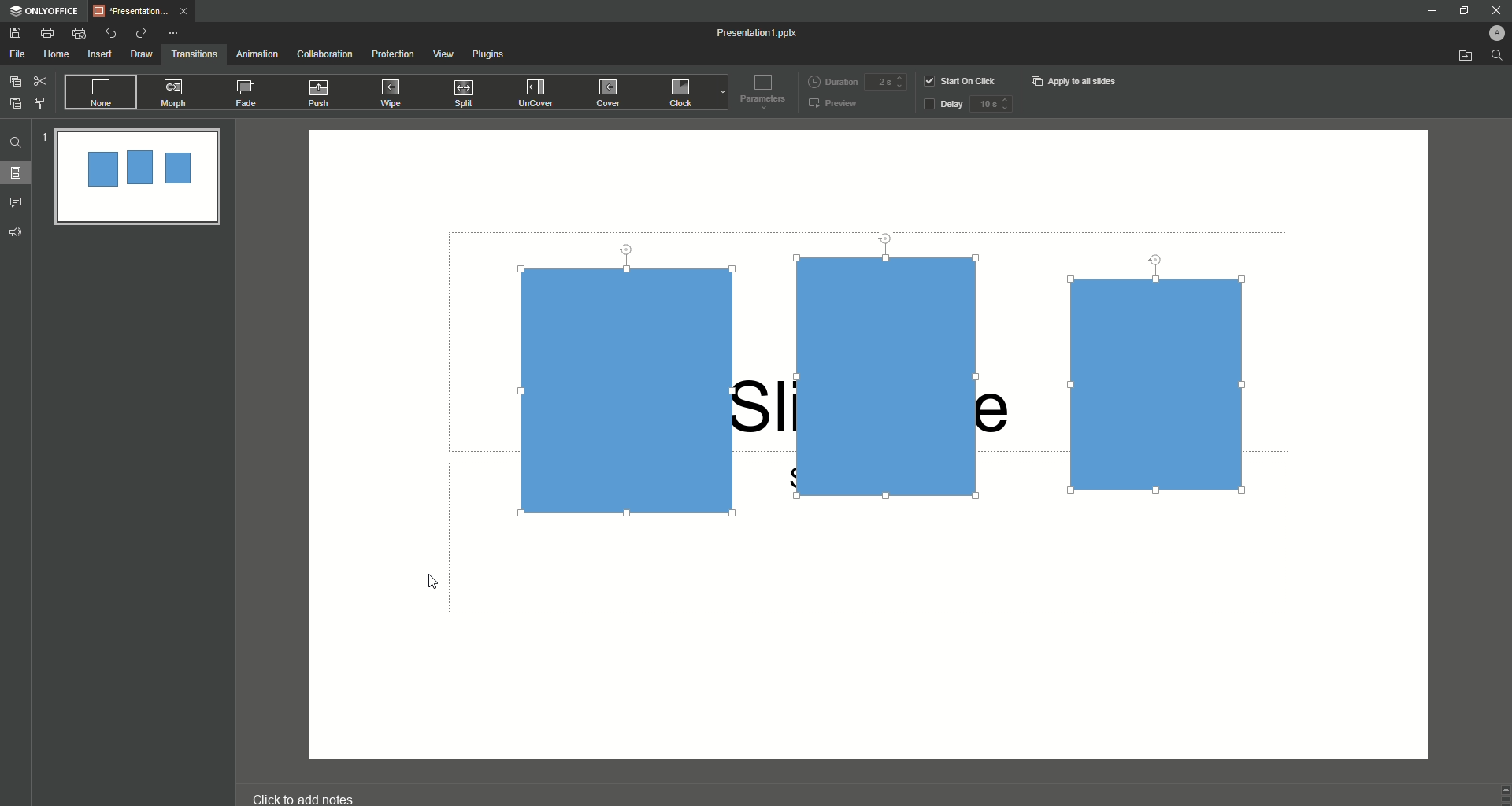  What do you see at coordinates (991, 104) in the screenshot?
I see `delay input` at bounding box center [991, 104].